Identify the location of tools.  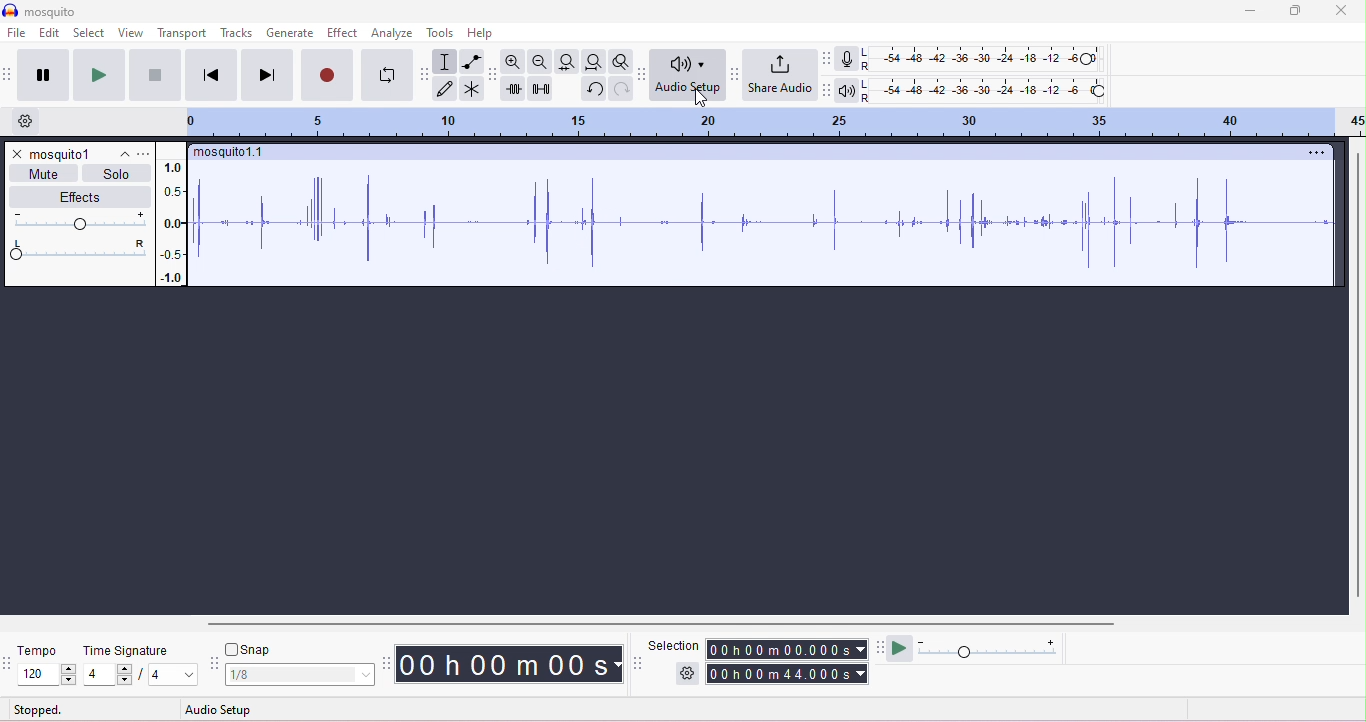
(441, 33).